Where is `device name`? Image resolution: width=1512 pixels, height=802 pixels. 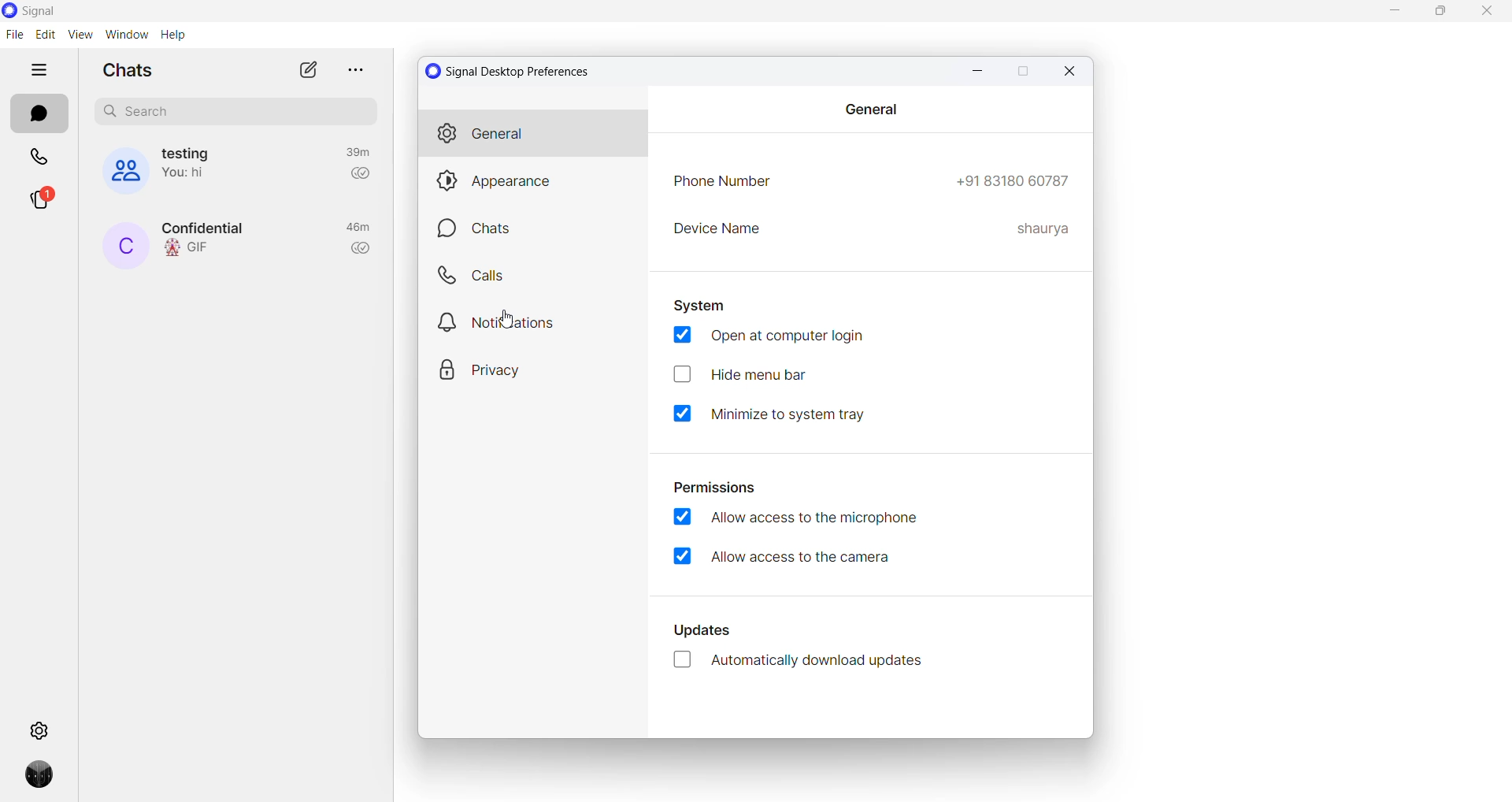 device name is located at coordinates (1042, 226).